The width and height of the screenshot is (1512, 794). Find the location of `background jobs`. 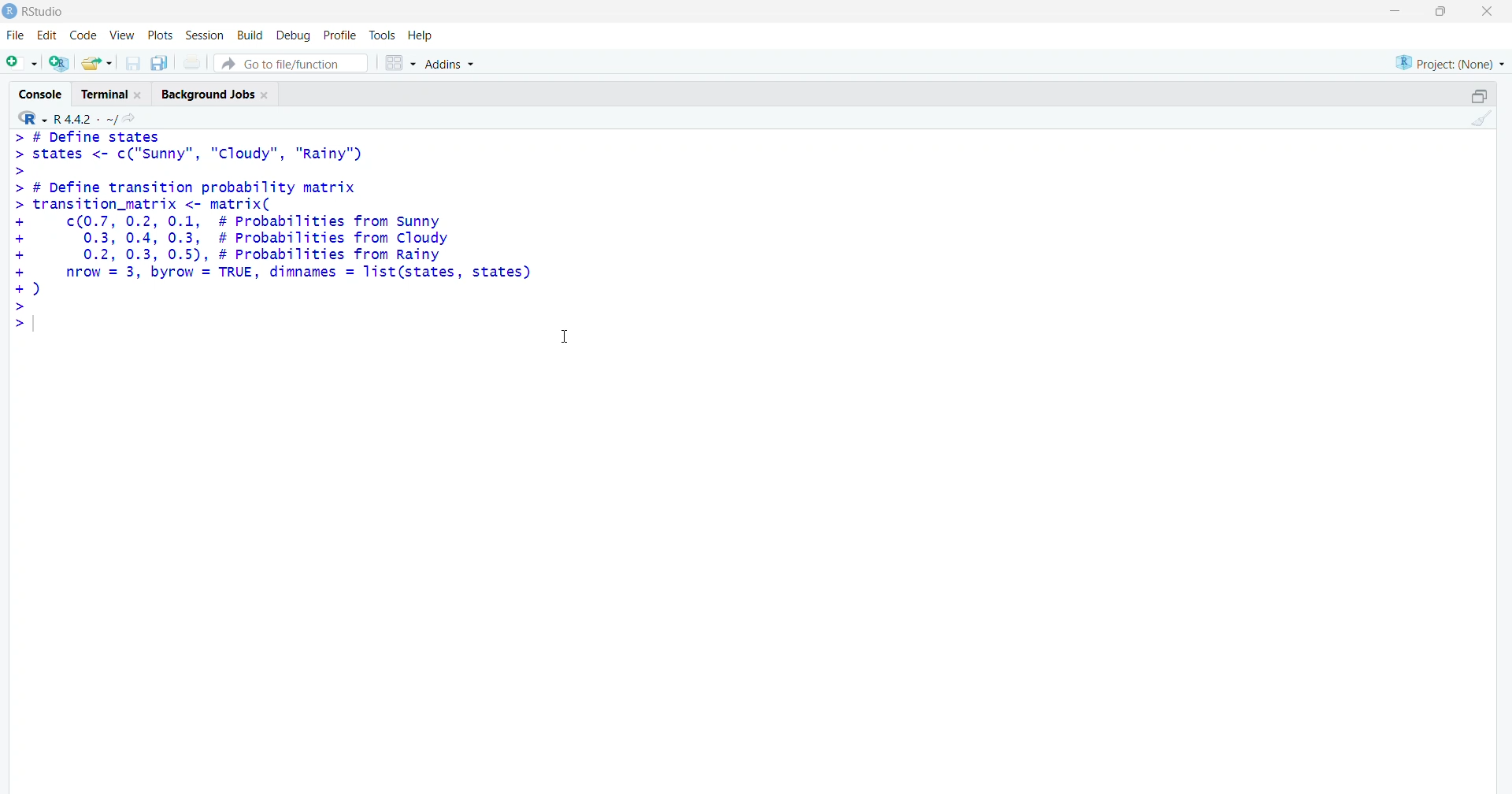

background jobs is located at coordinates (220, 95).